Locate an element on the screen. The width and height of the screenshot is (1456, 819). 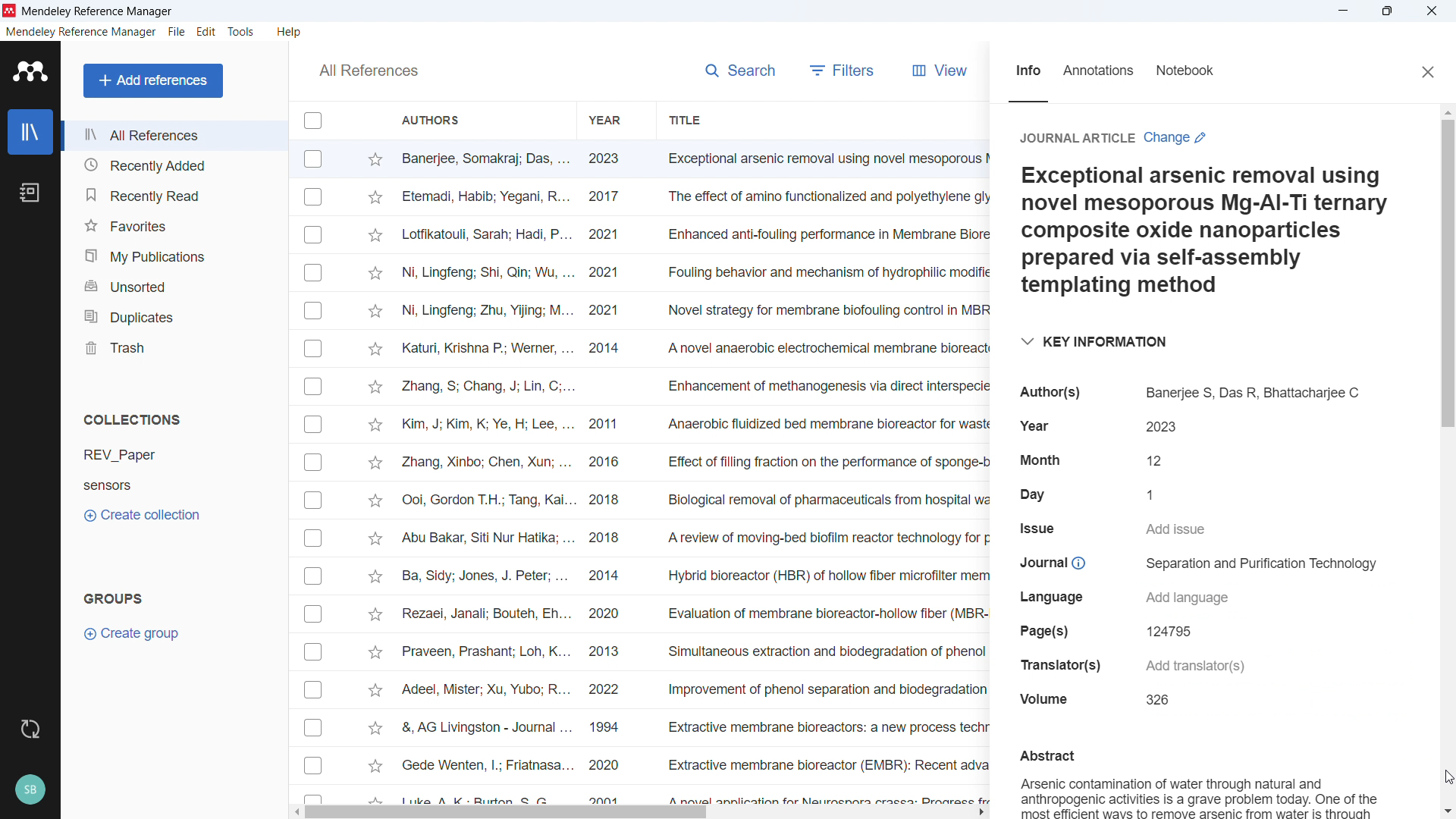
click to starmark individual entries is located at coordinates (376, 199).